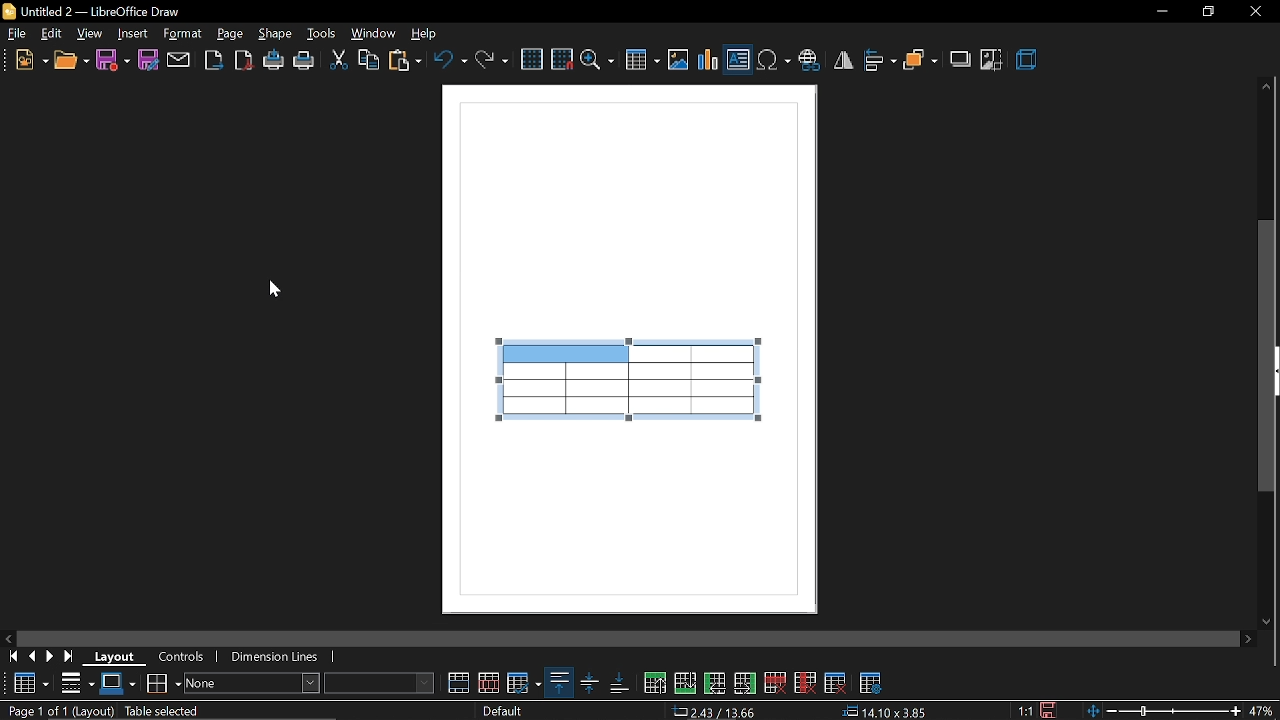 Image resolution: width=1280 pixels, height=720 pixels. I want to click on 47%, so click(1265, 711).